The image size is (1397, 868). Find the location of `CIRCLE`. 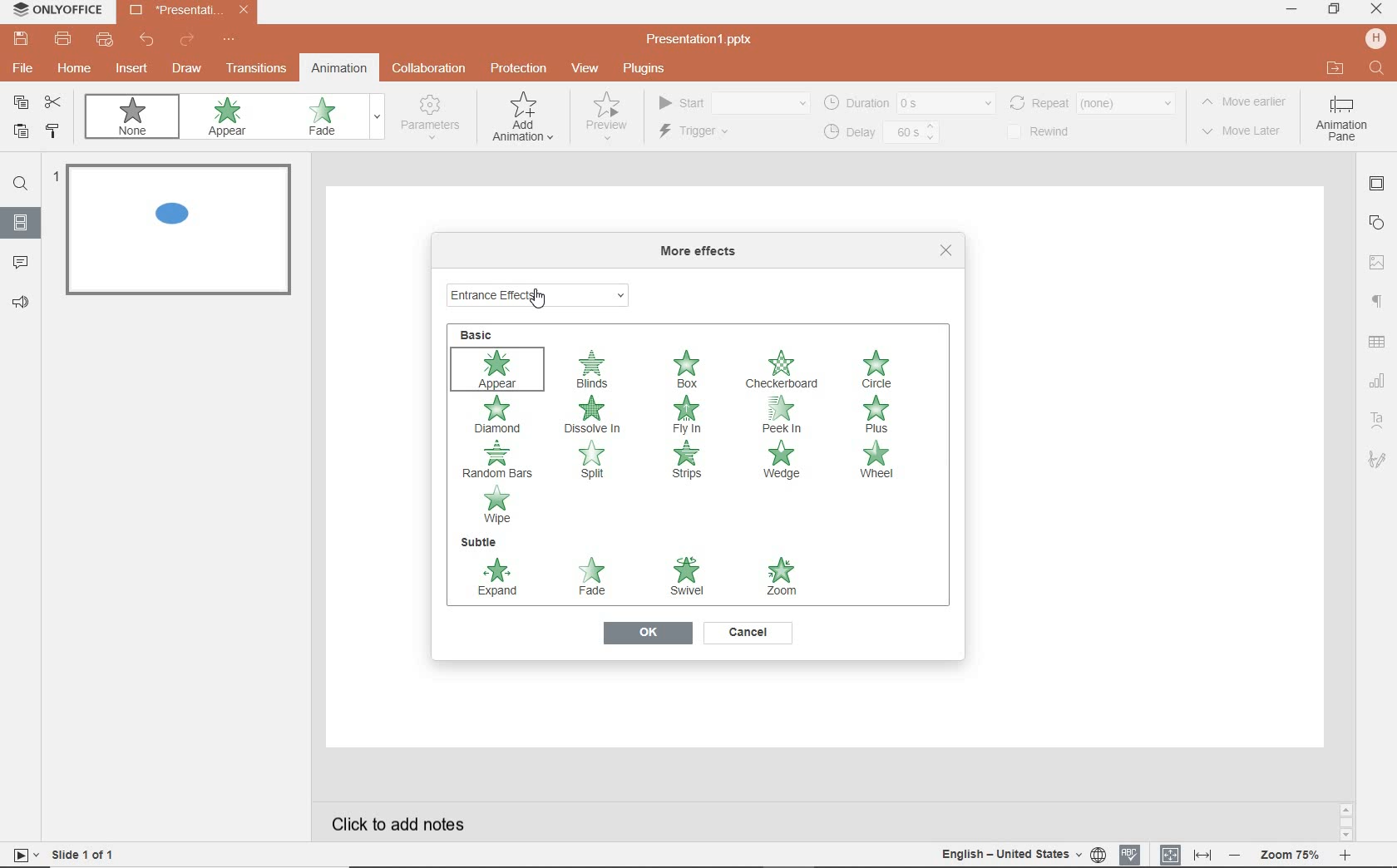

CIRCLE is located at coordinates (881, 370).